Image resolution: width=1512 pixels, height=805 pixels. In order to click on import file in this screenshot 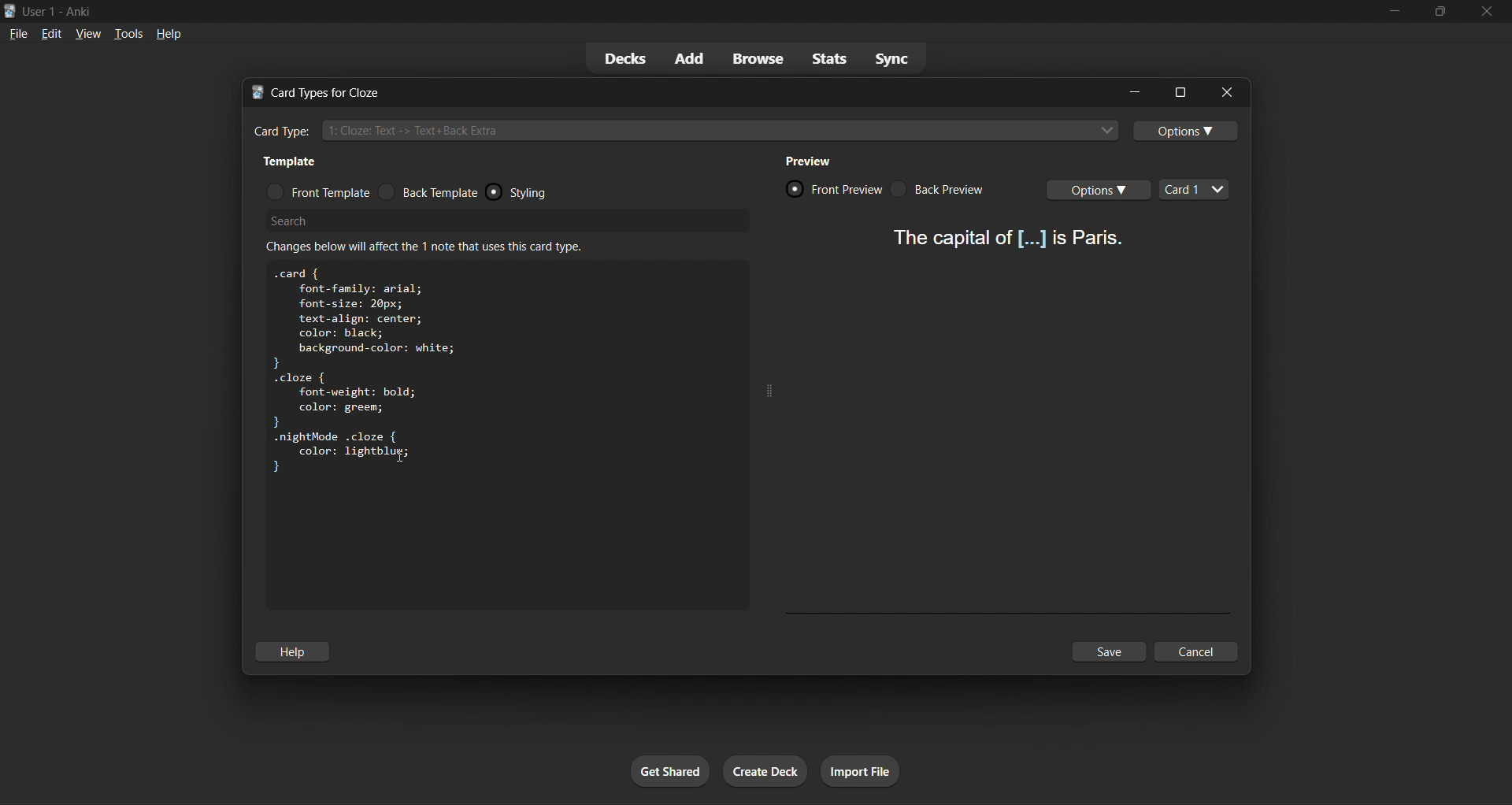, I will do `click(862, 768)`.